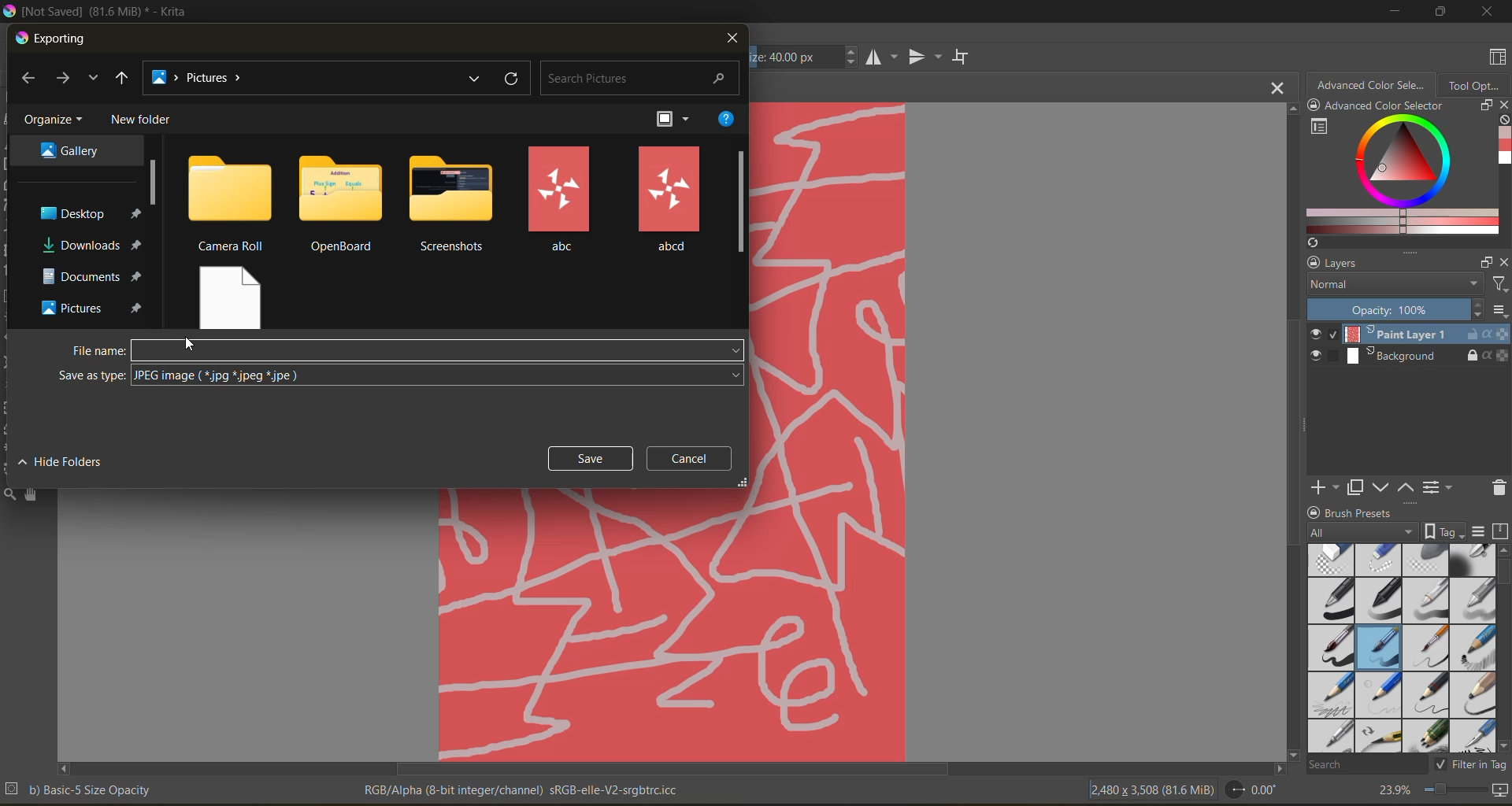 This screenshot has height=806, width=1512. Describe the element at coordinates (1392, 285) in the screenshot. I see `normal` at that location.